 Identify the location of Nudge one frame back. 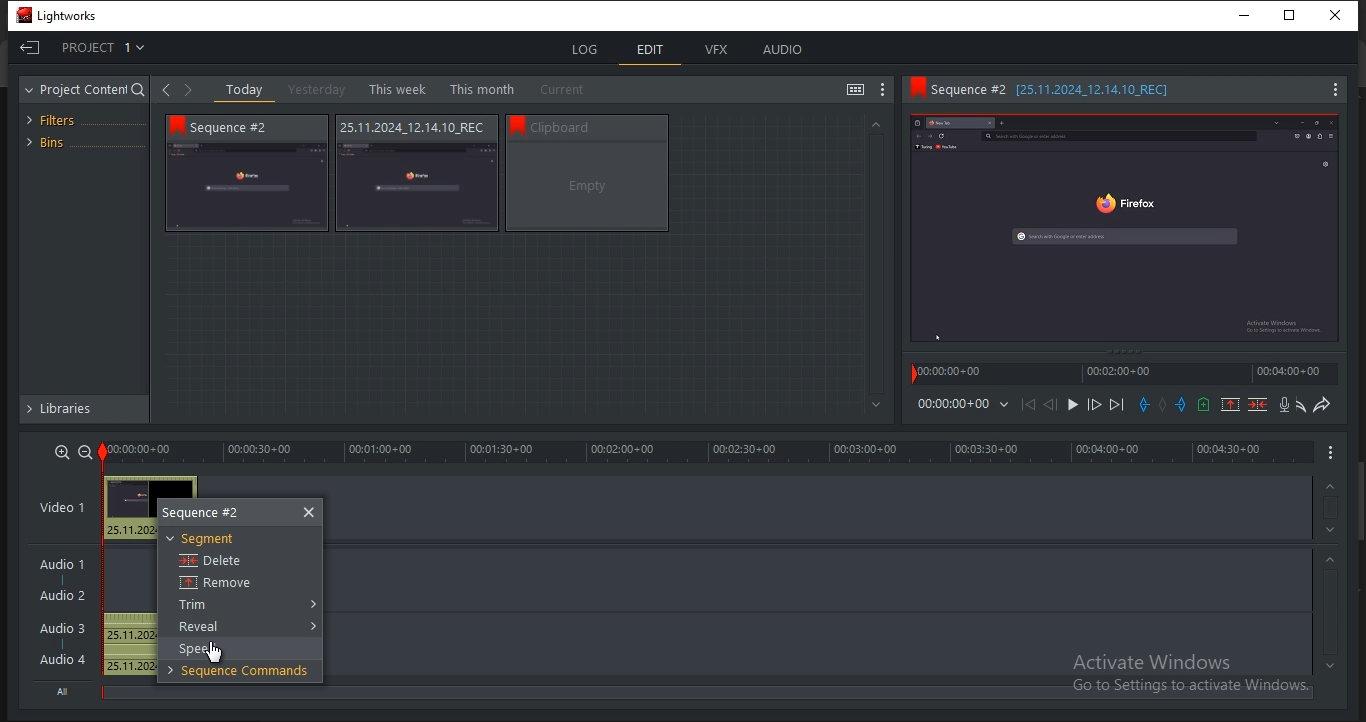
(1051, 405).